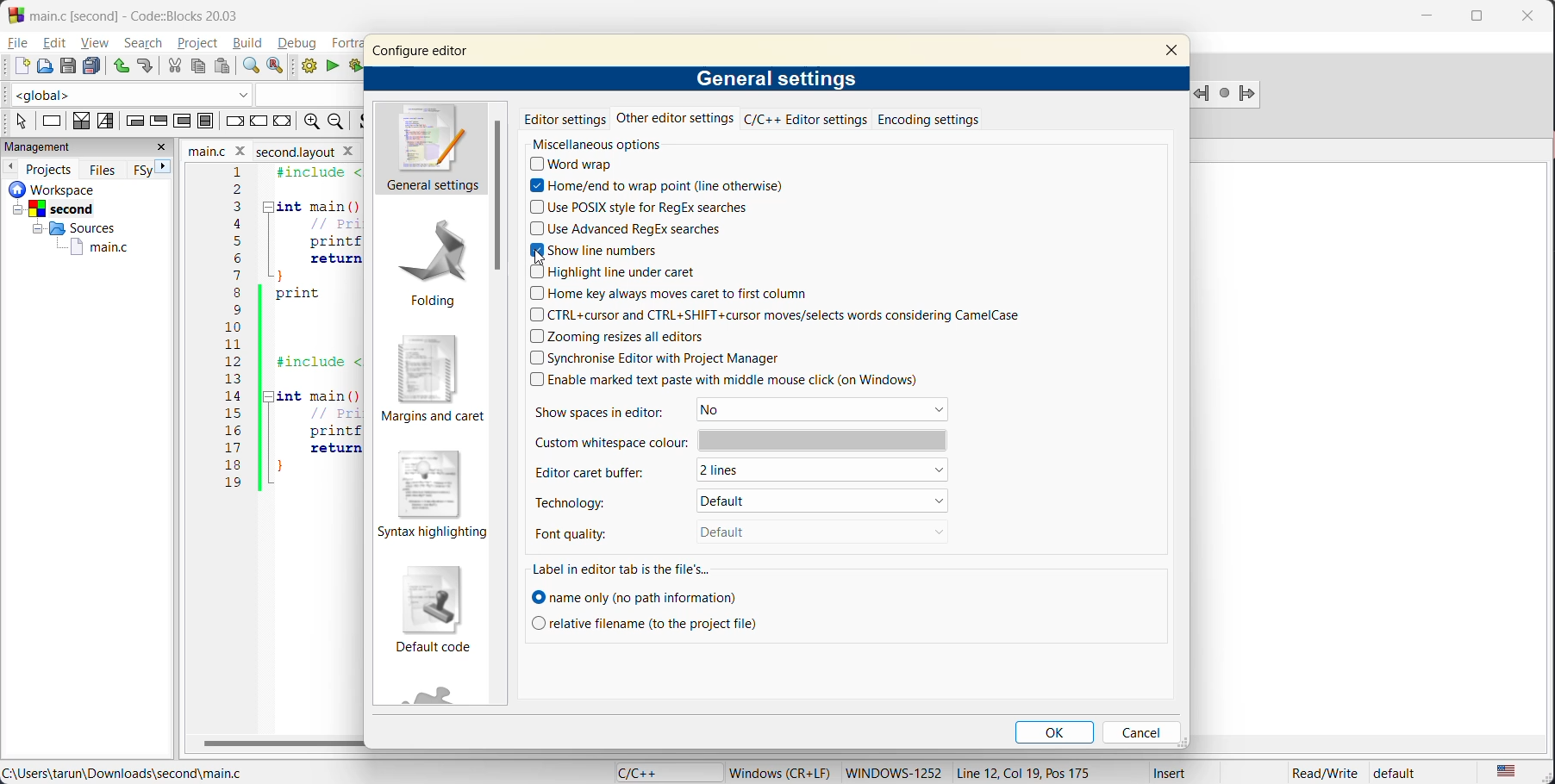 This screenshot has width=1555, height=784. I want to click on text language, so click(1509, 770).